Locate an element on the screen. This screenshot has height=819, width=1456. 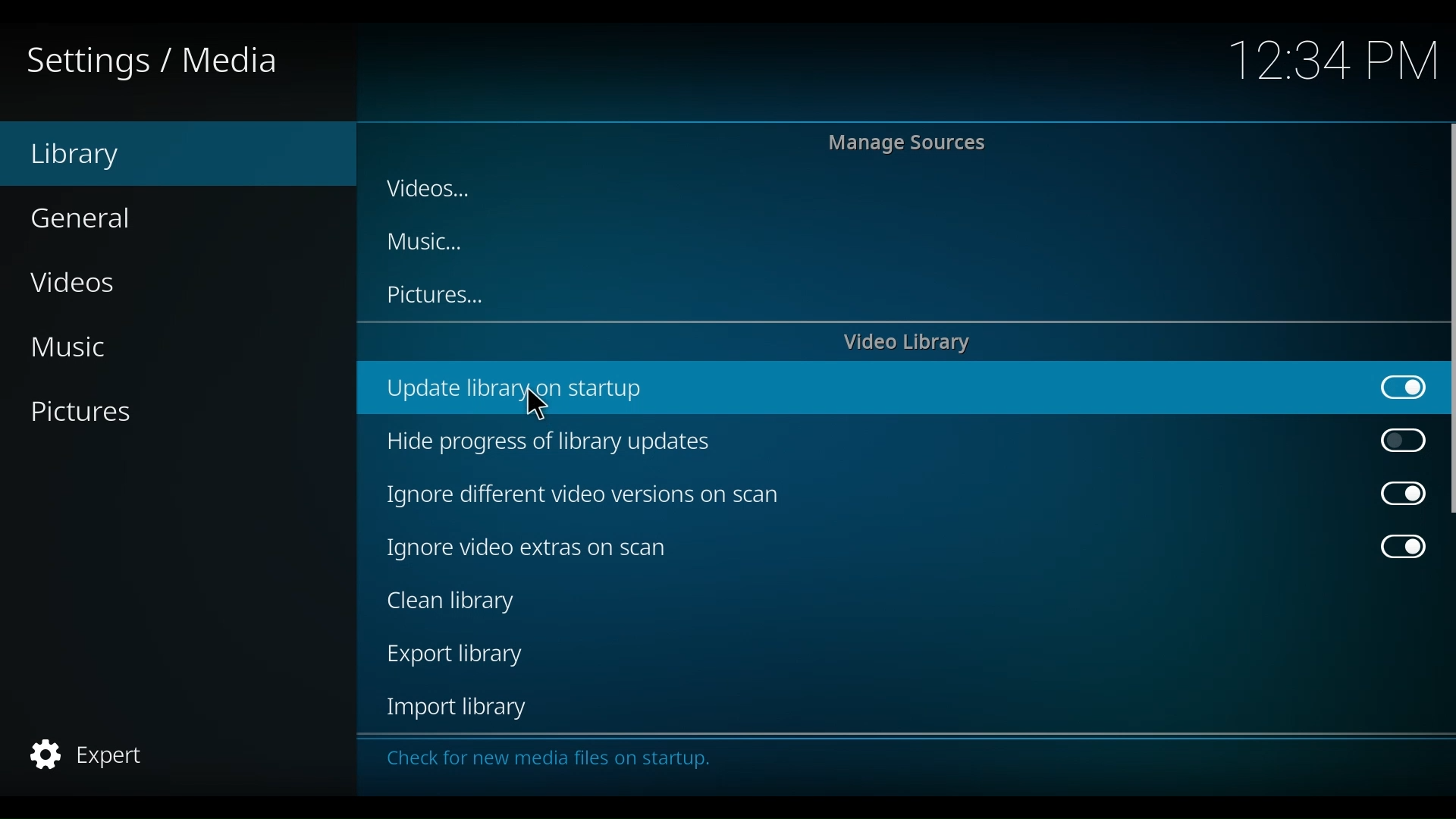
Update library on startup is located at coordinates (435, 386).